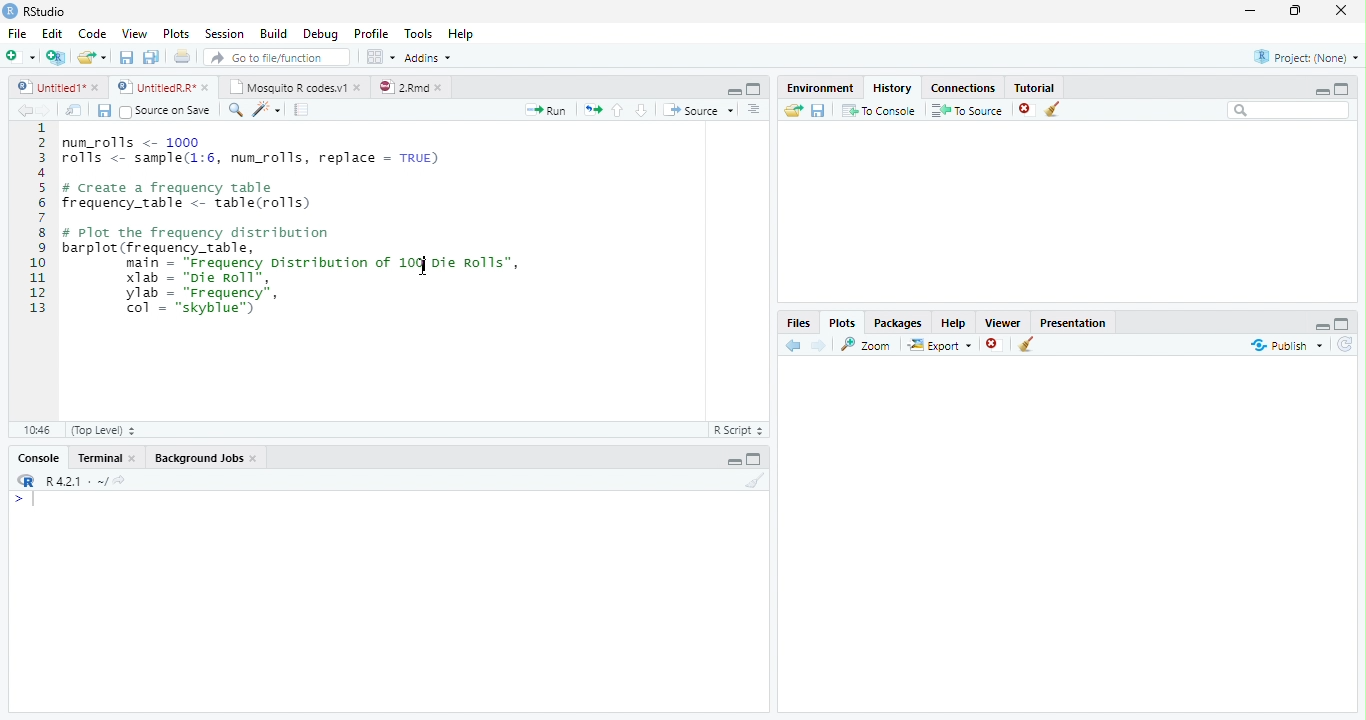 This screenshot has width=1366, height=720. What do you see at coordinates (1284, 346) in the screenshot?
I see `Publish` at bounding box center [1284, 346].